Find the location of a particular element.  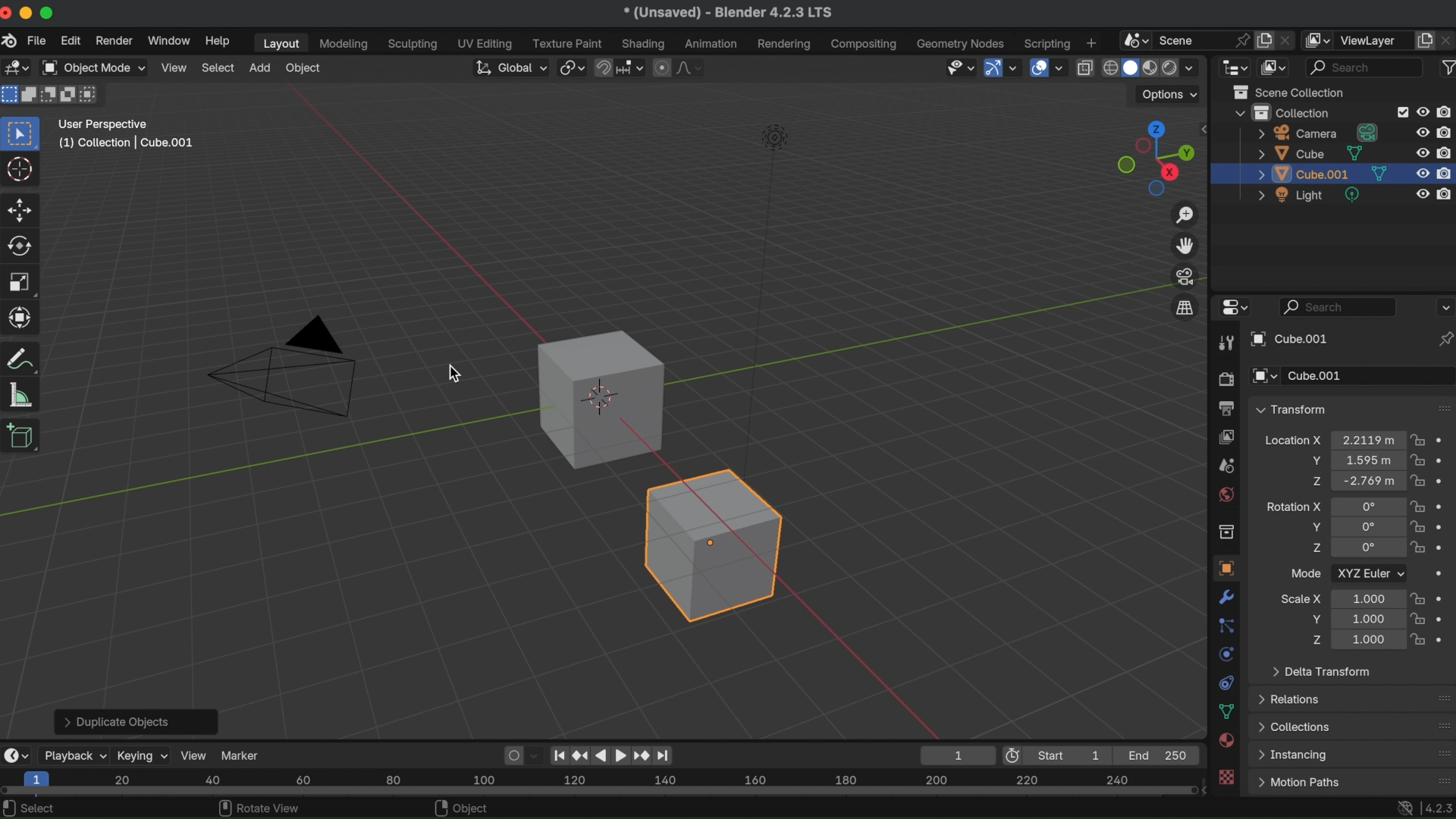

hide in viewport is located at coordinates (1423, 110).